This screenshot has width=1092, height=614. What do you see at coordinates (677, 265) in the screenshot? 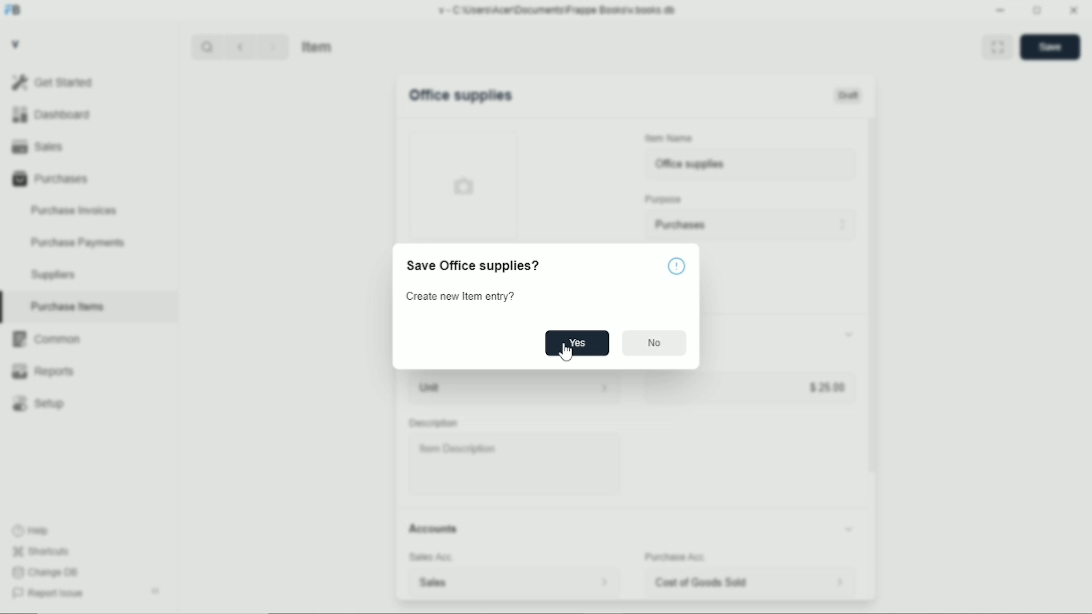
I see `info logo` at bounding box center [677, 265].